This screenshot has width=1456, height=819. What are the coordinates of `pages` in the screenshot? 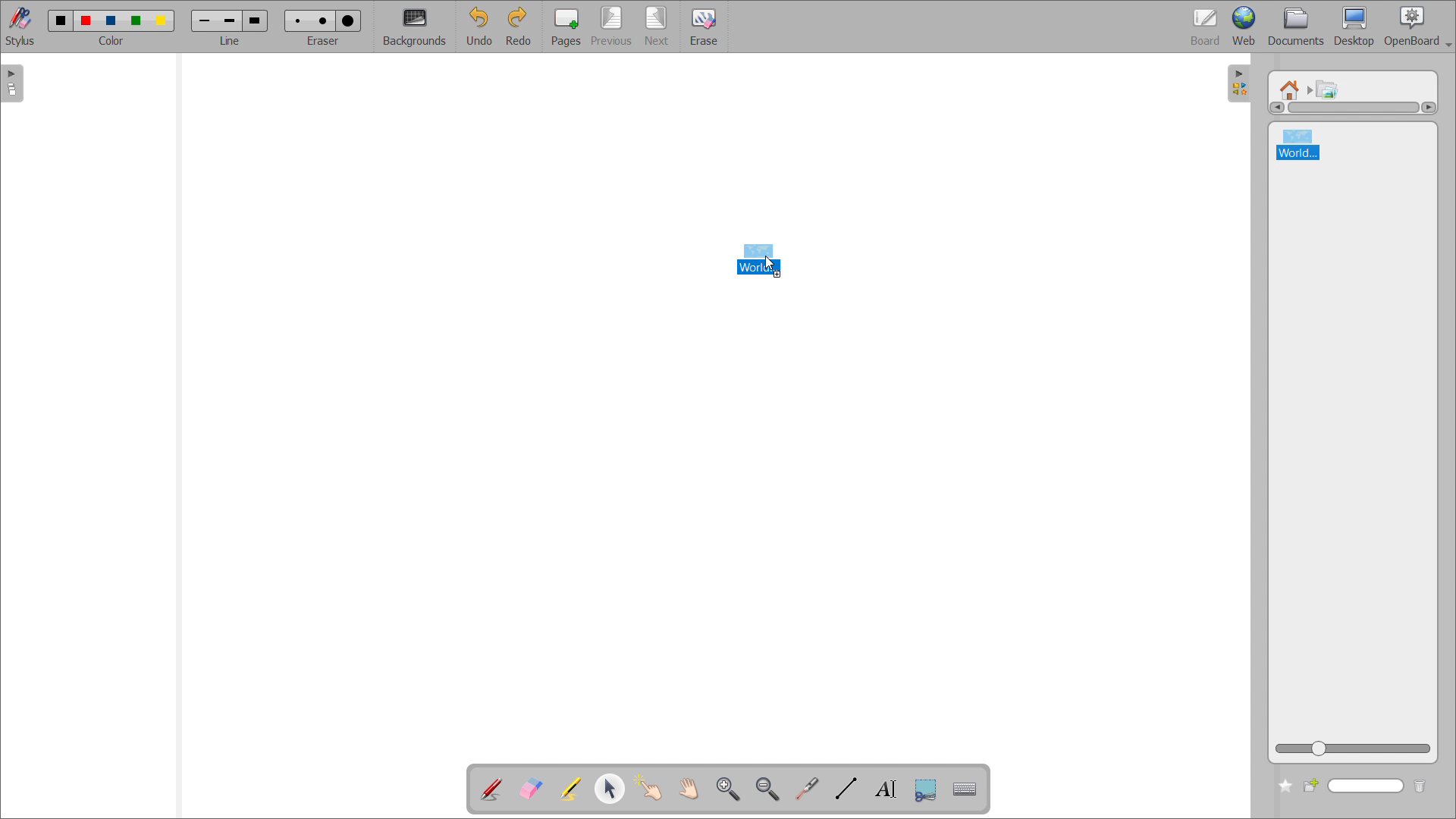 It's located at (566, 27).